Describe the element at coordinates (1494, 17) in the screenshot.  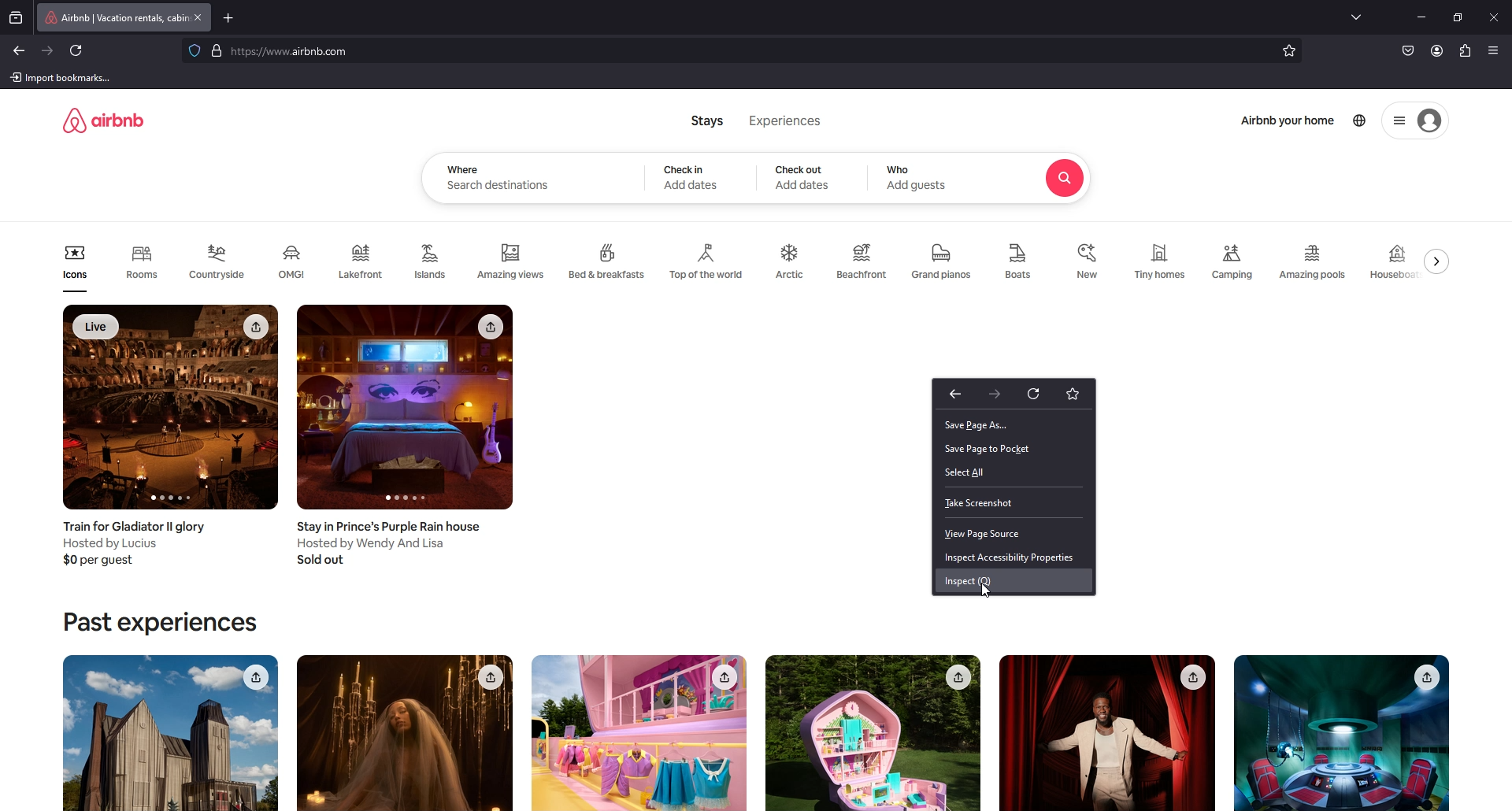
I see `close` at that location.